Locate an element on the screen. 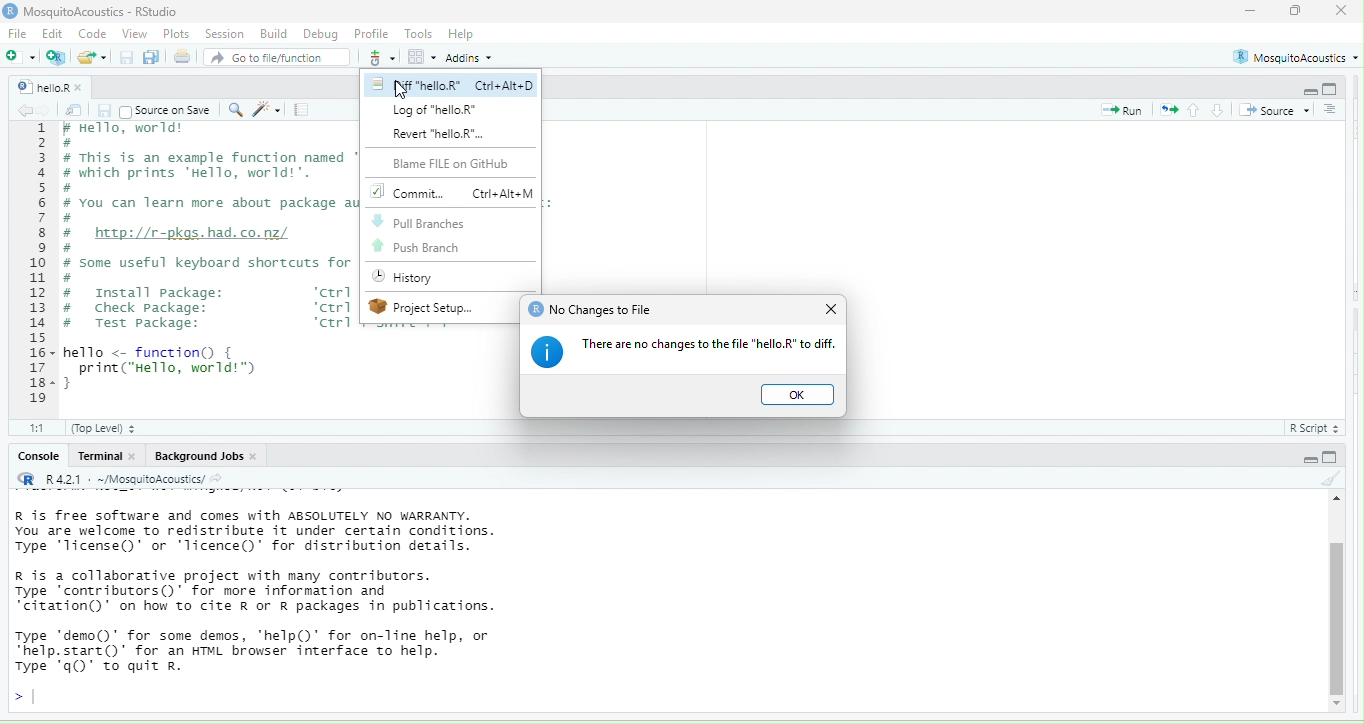  1
2
3
a
5
6
7
BH
9
10
1
12
13
1
15

16-
17

18-
19 is located at coordinates (39, 265).